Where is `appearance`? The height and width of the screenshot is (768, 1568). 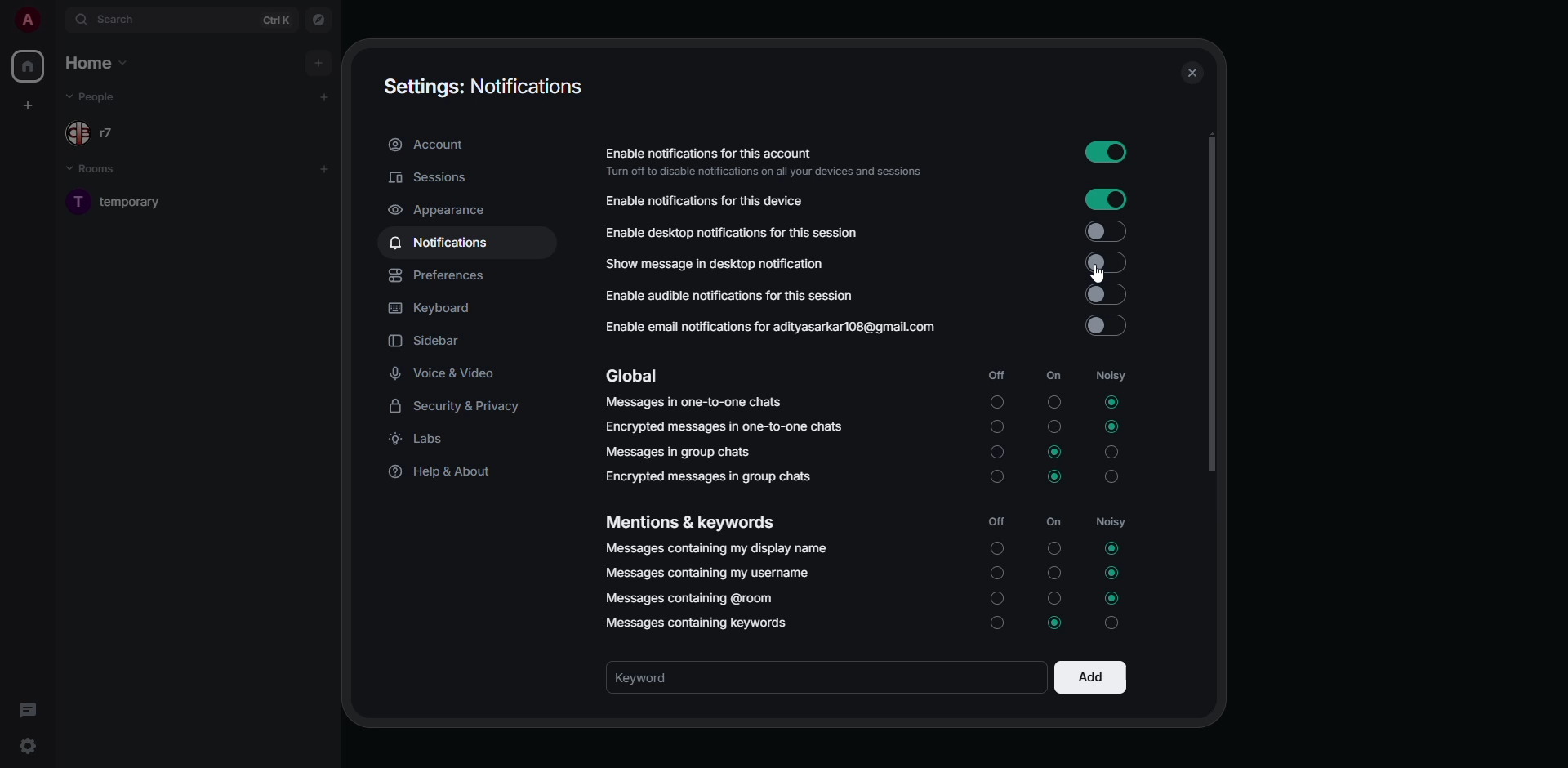 appearance is located at coordinates (441, 209).